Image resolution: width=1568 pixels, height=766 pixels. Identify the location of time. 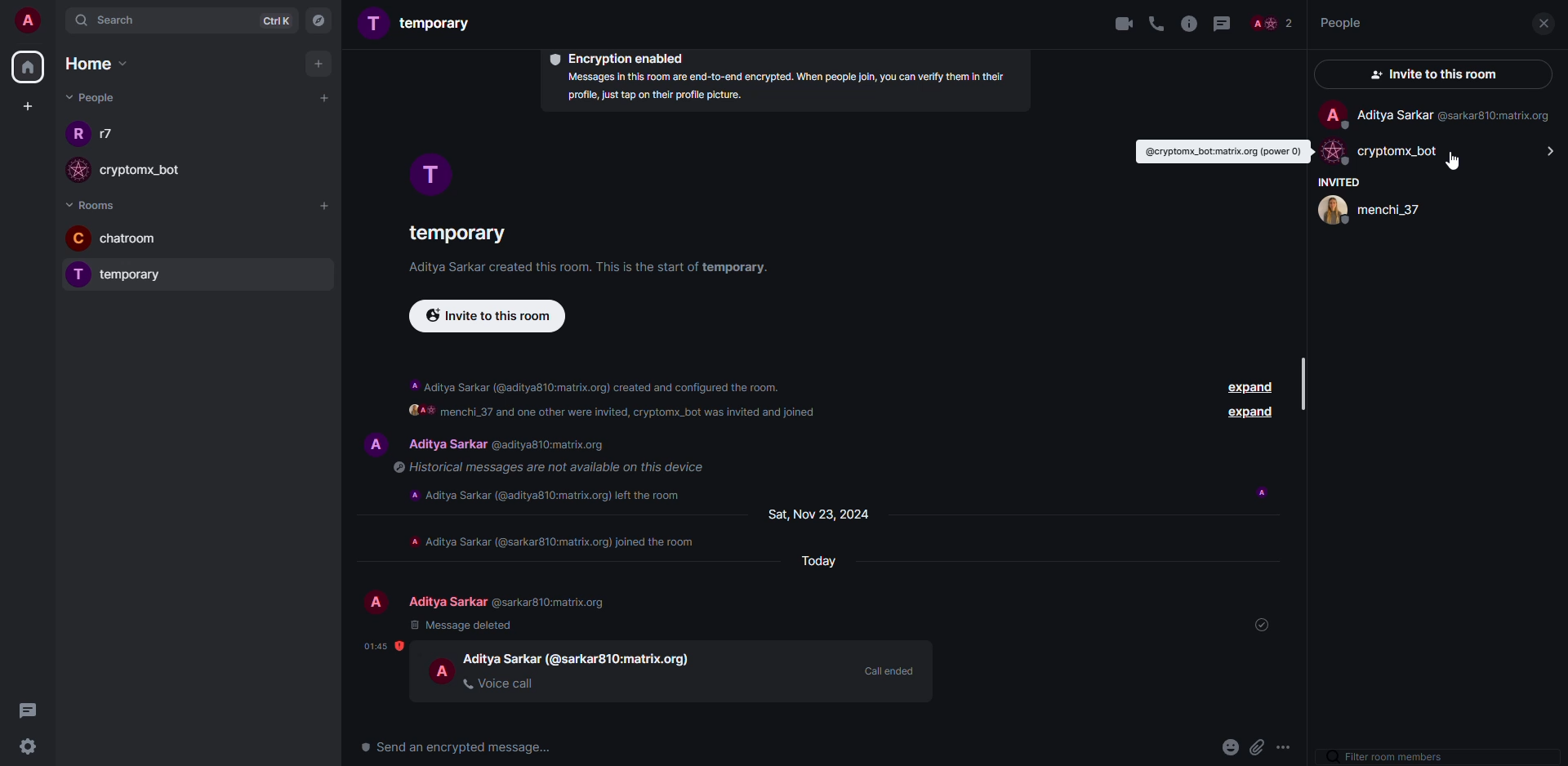
(383, 646).